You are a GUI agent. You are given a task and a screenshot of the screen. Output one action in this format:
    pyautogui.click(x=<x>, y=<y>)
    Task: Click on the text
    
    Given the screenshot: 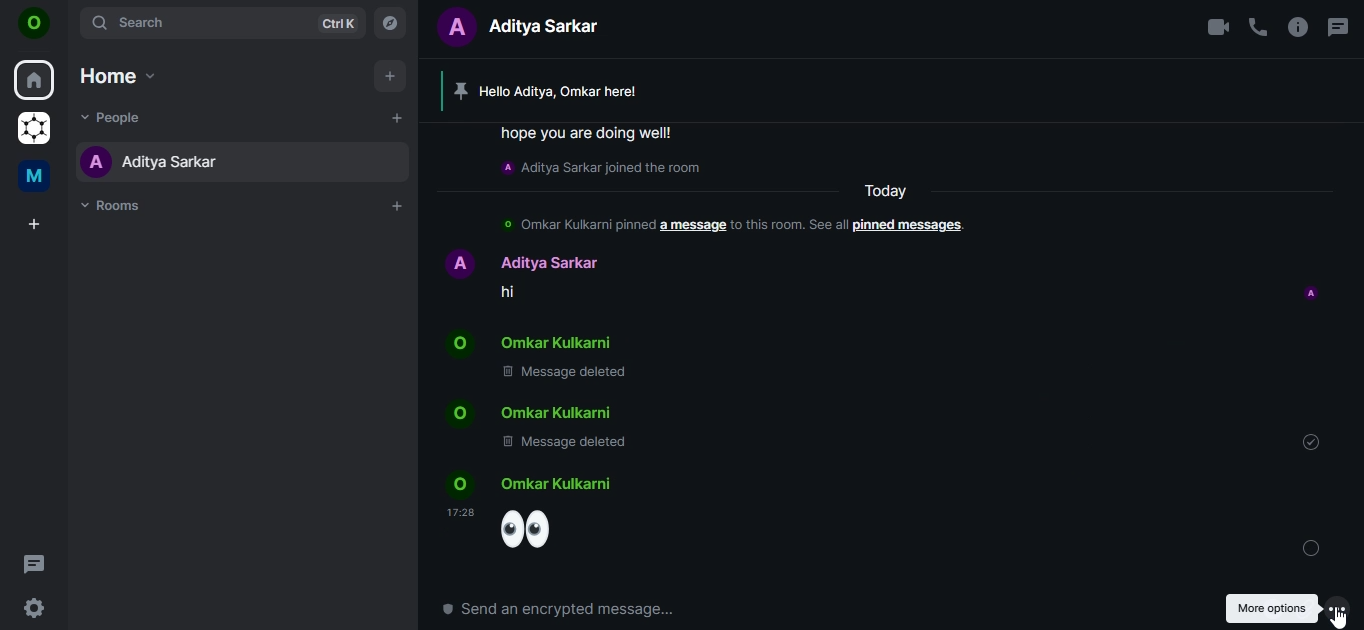 What is the action you would take?
    pyautogui.click(x=706, y=267)
    